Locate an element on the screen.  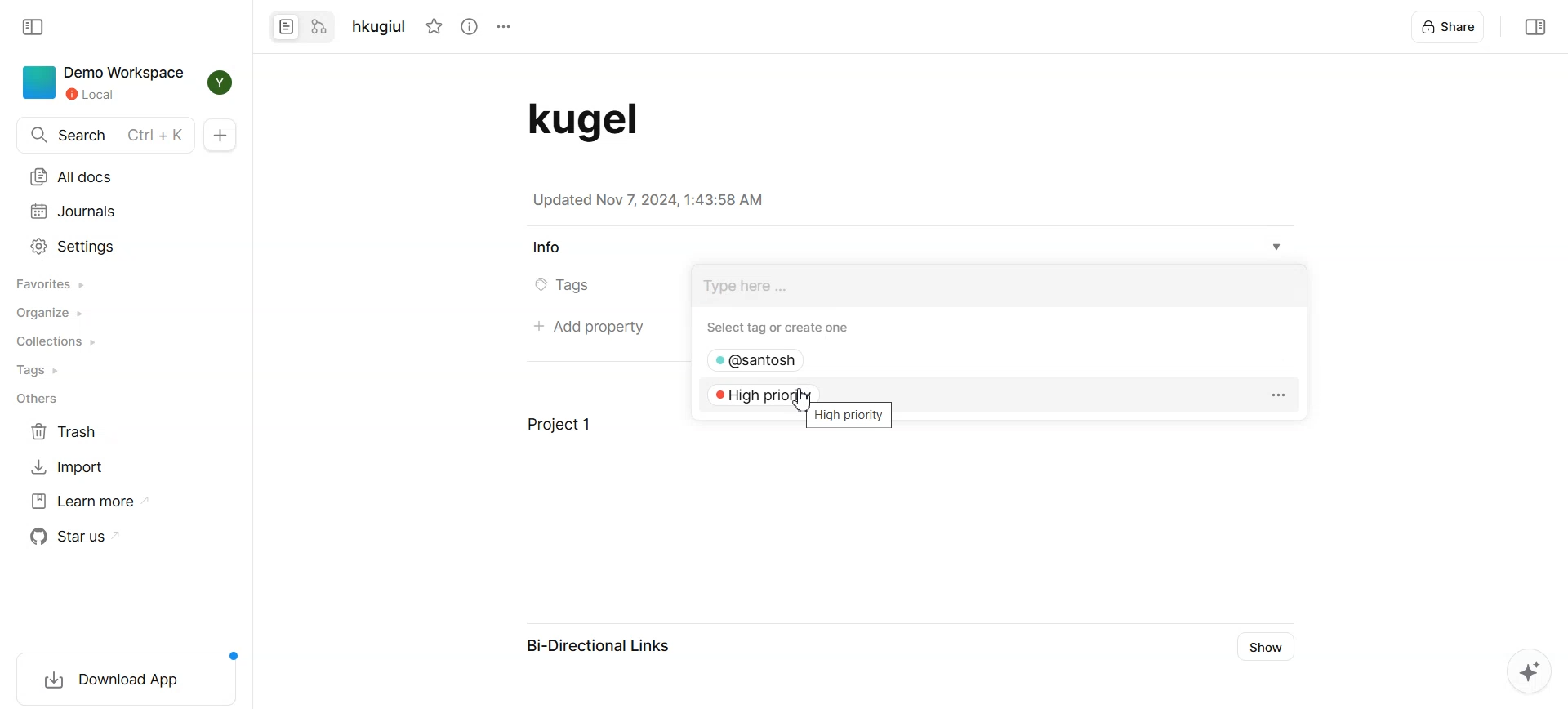
Document Title is located at coordinates (608, 120).